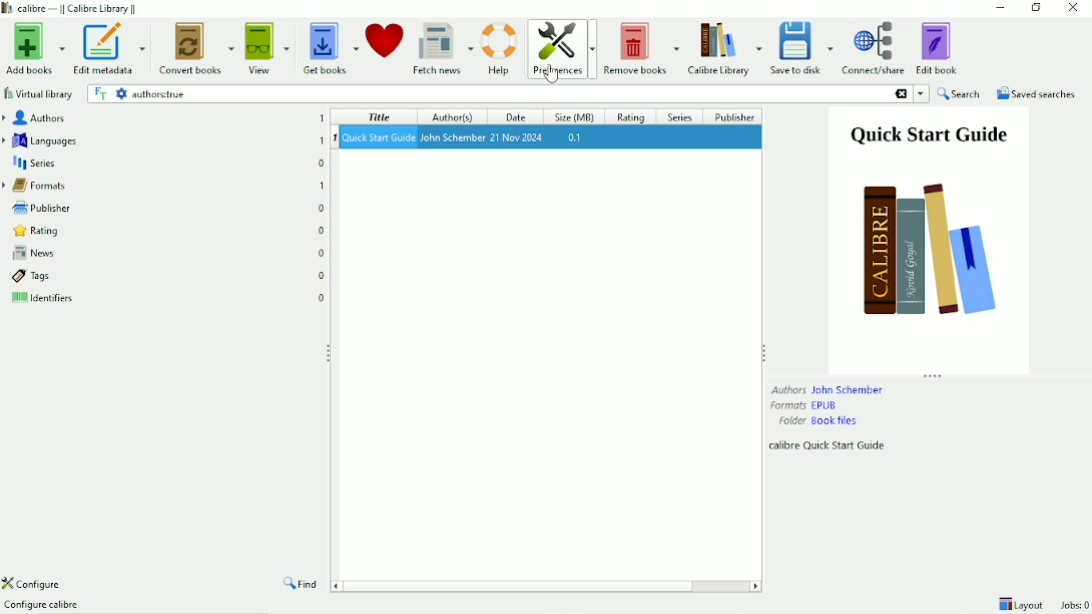 The height and width of the screenshot is (614, 1092). I want to click on Edit book, so click(937, 48).